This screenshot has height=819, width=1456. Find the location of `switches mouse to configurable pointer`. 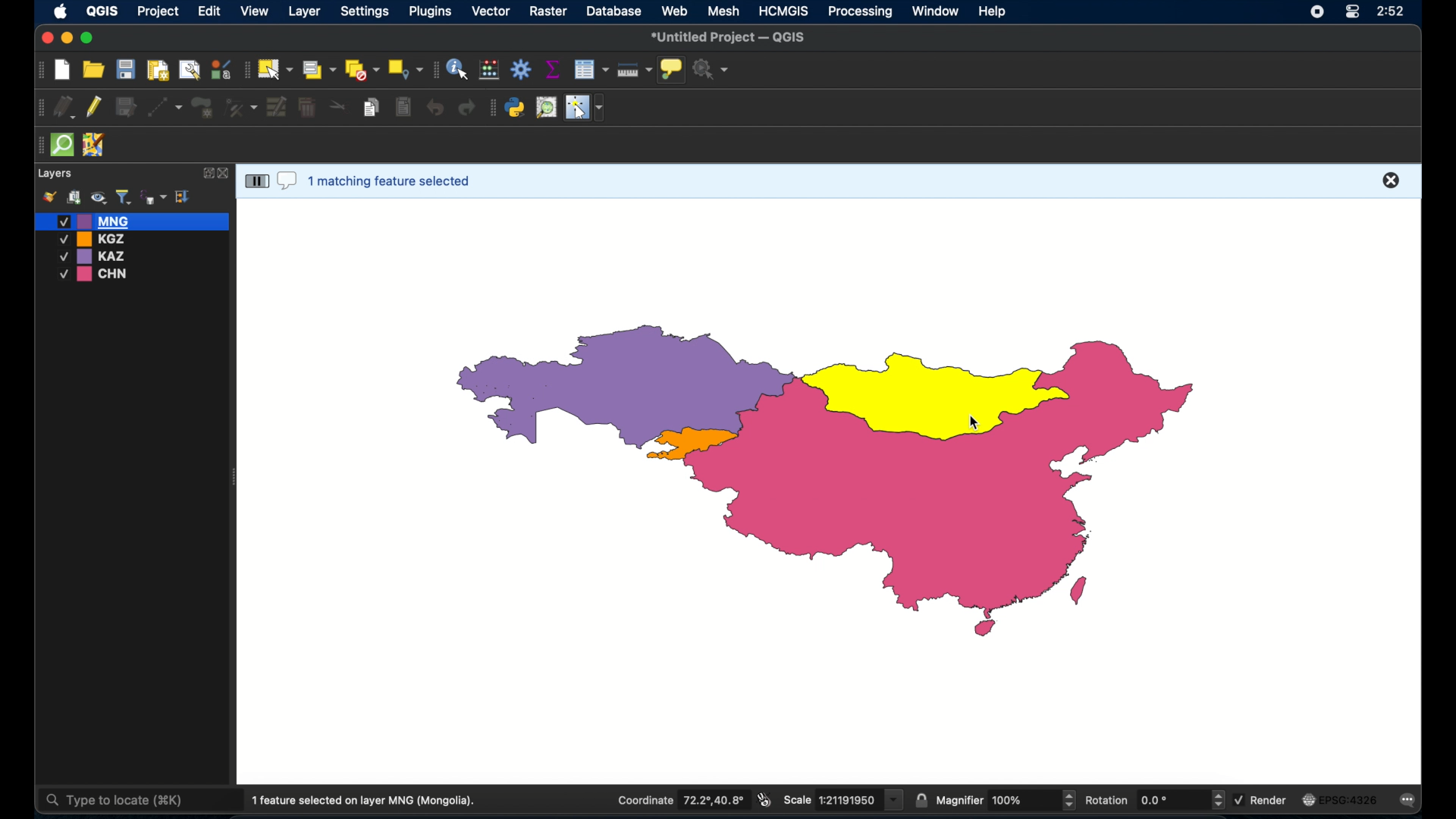

switches mouse to configurable pointer is located at coordinates (585, 108).